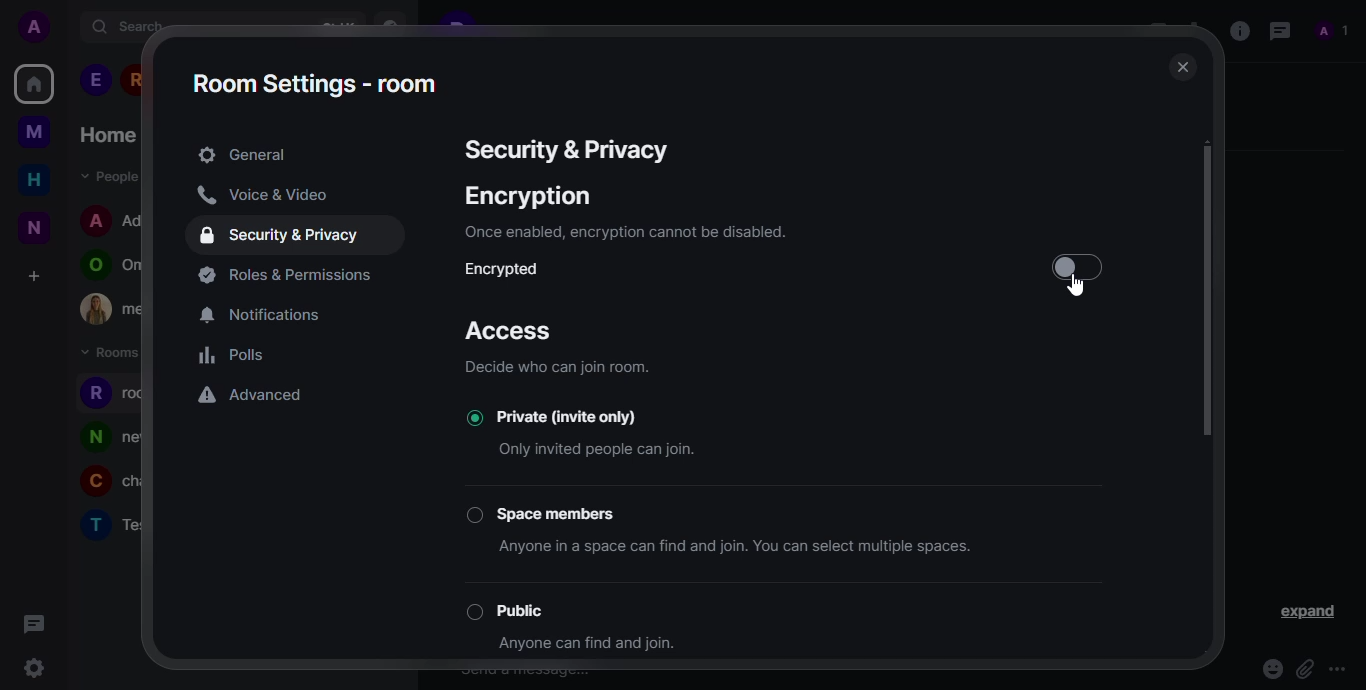  What do you see at coordinates (1278, 30) in the screenshot?
I see `threads` at bounding box center [1278, 30].